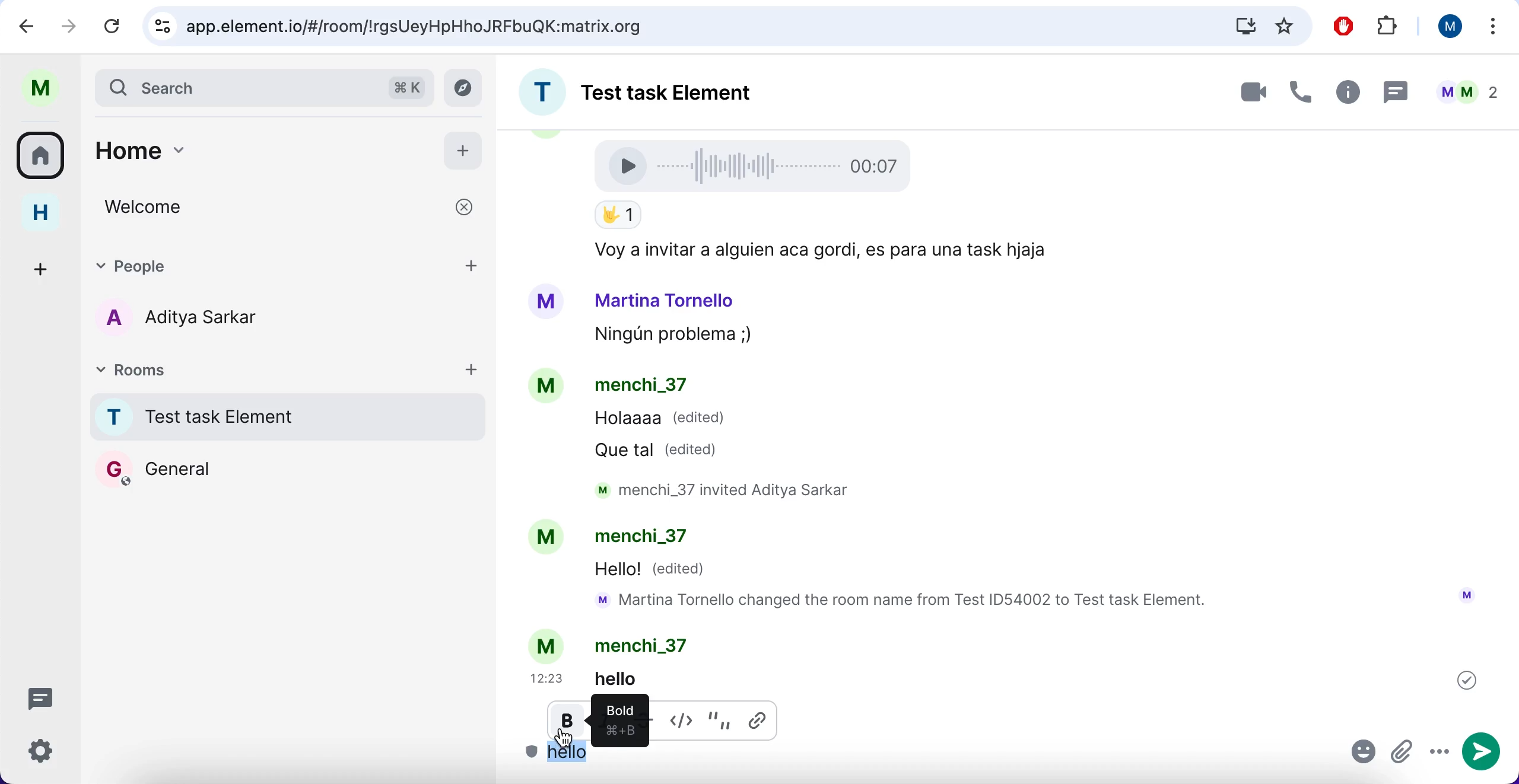  I want to click on User Icon, so click(1467, 595).